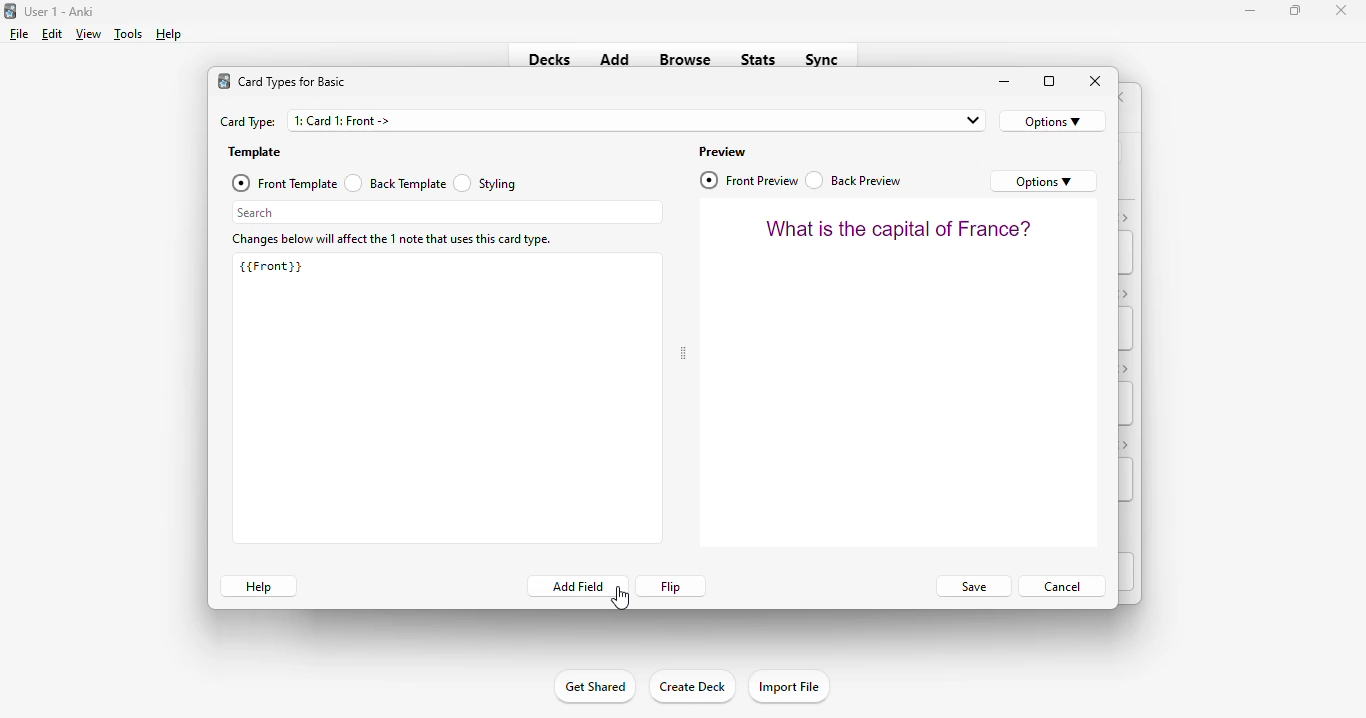  Describe the element at coordinates (685, 59) in the screenshot. I see `browse` at that location.